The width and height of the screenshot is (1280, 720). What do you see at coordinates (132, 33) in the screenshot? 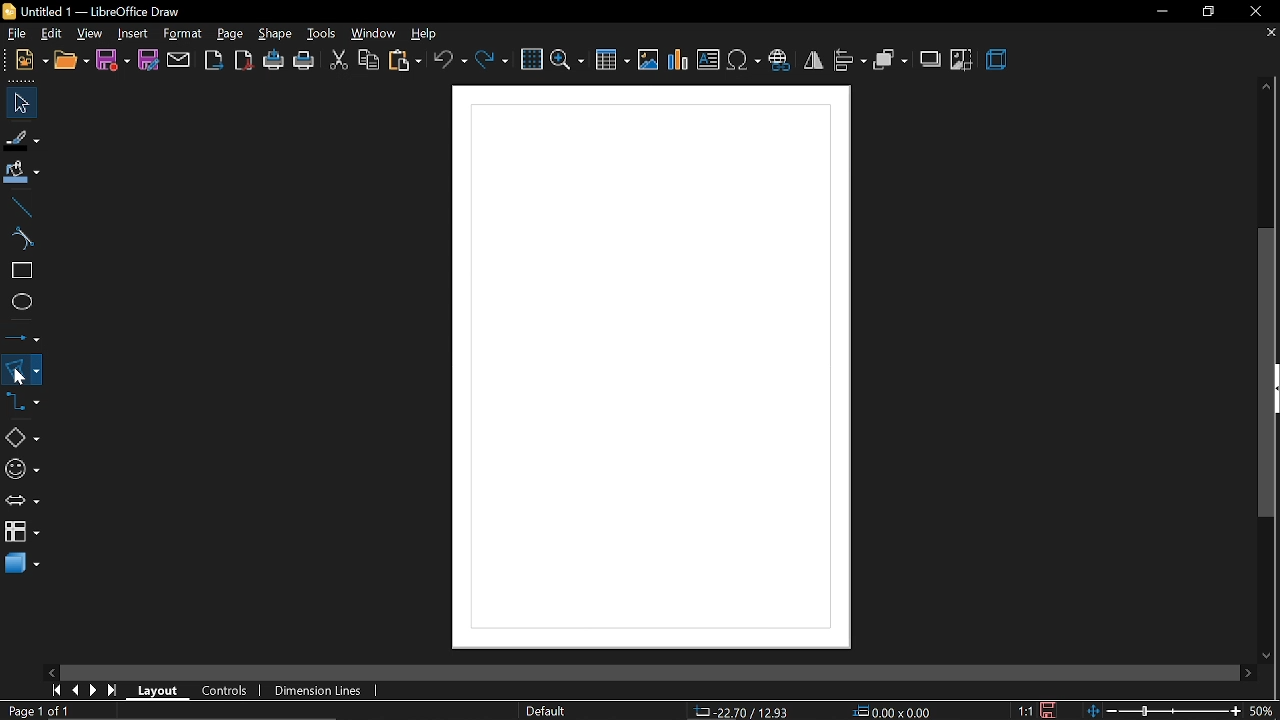
I see `insert` at bounding box center [132, 33].